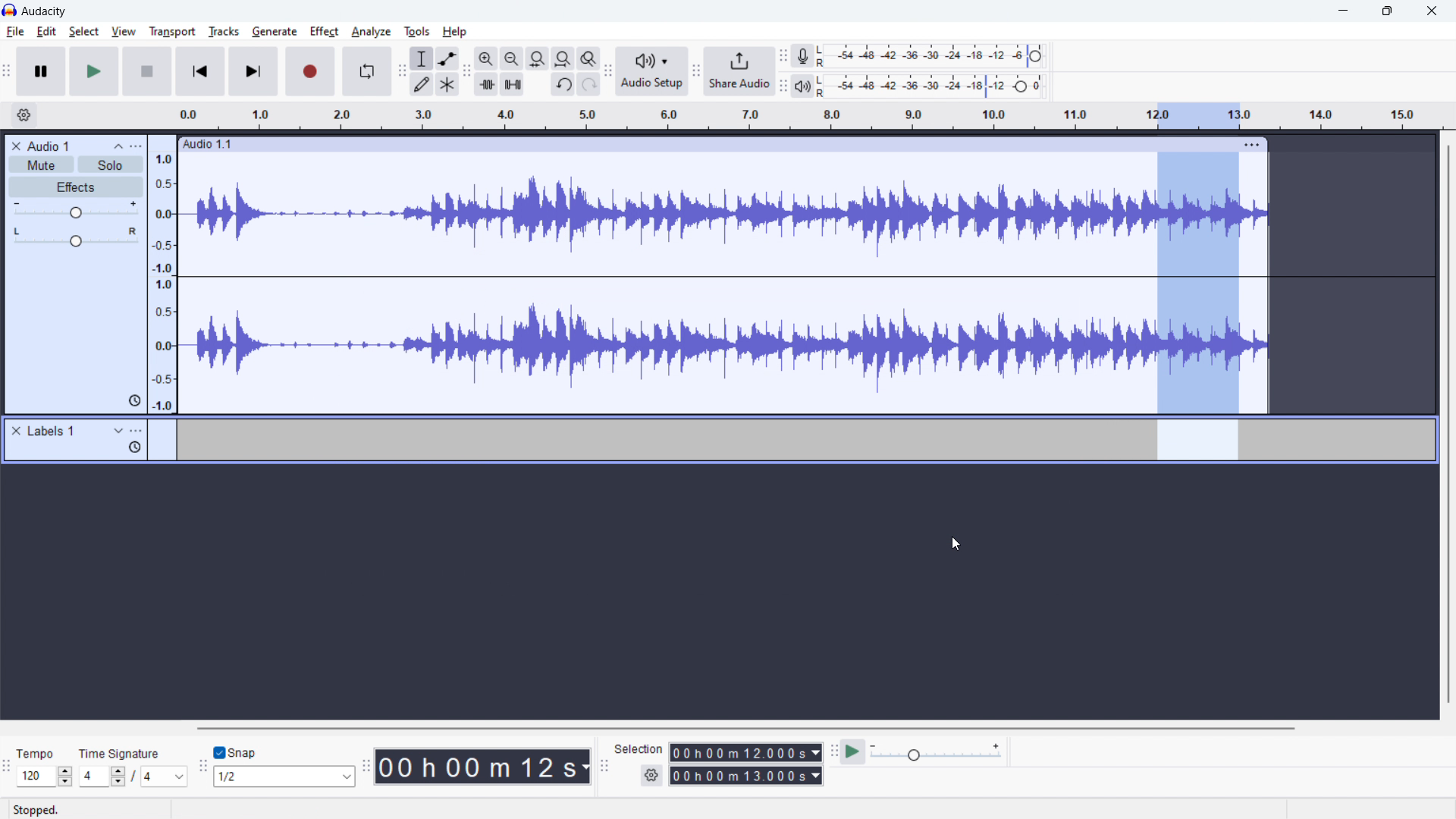  What do you see at coordinates (602, 767) in the screenshot?
I see `selection toolbar` at bounding box center [602, 767].